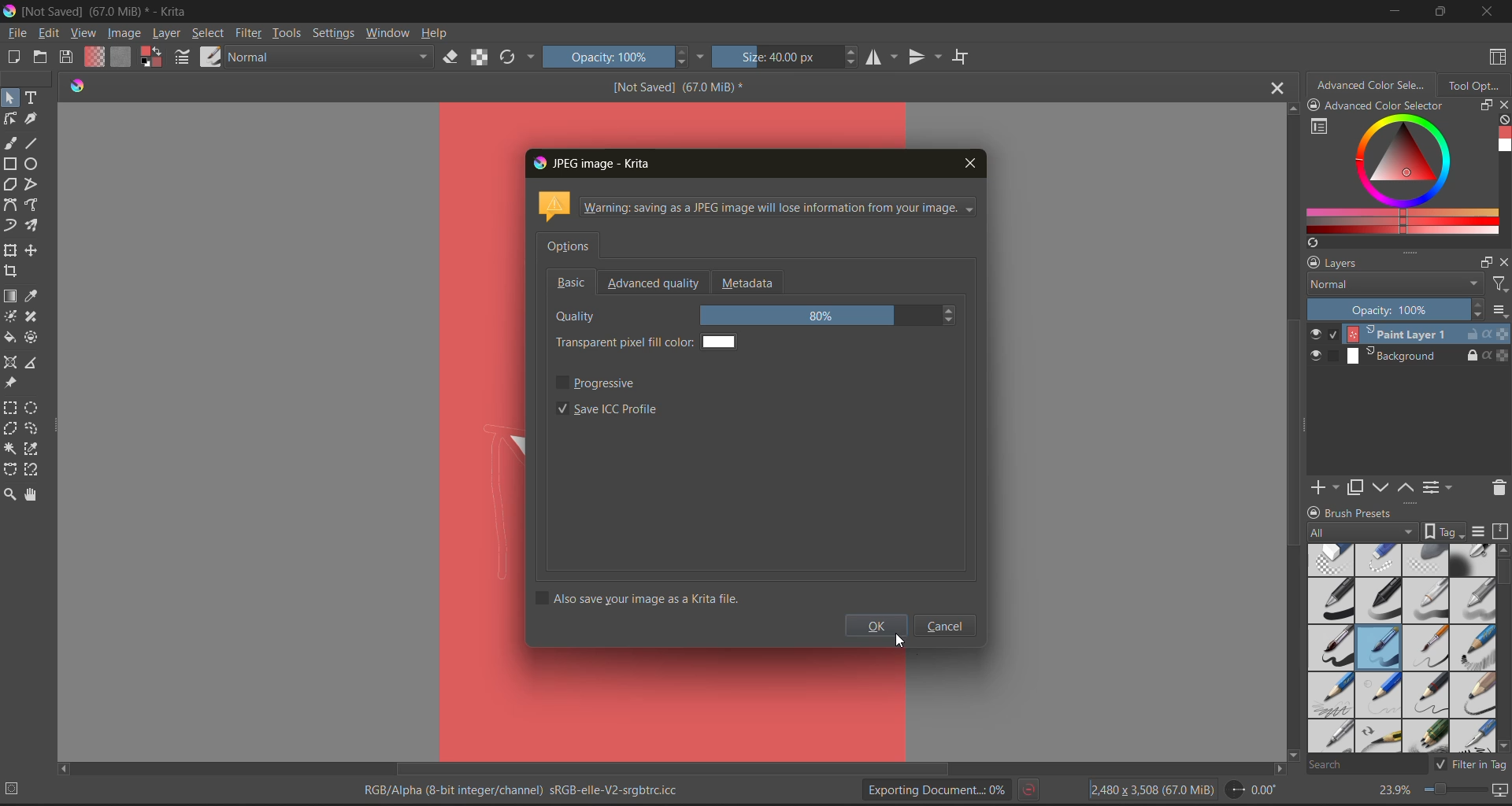 The width and height of the screenshot is (1512, 806). I want to click on Exporting document status, so click(940, 793).